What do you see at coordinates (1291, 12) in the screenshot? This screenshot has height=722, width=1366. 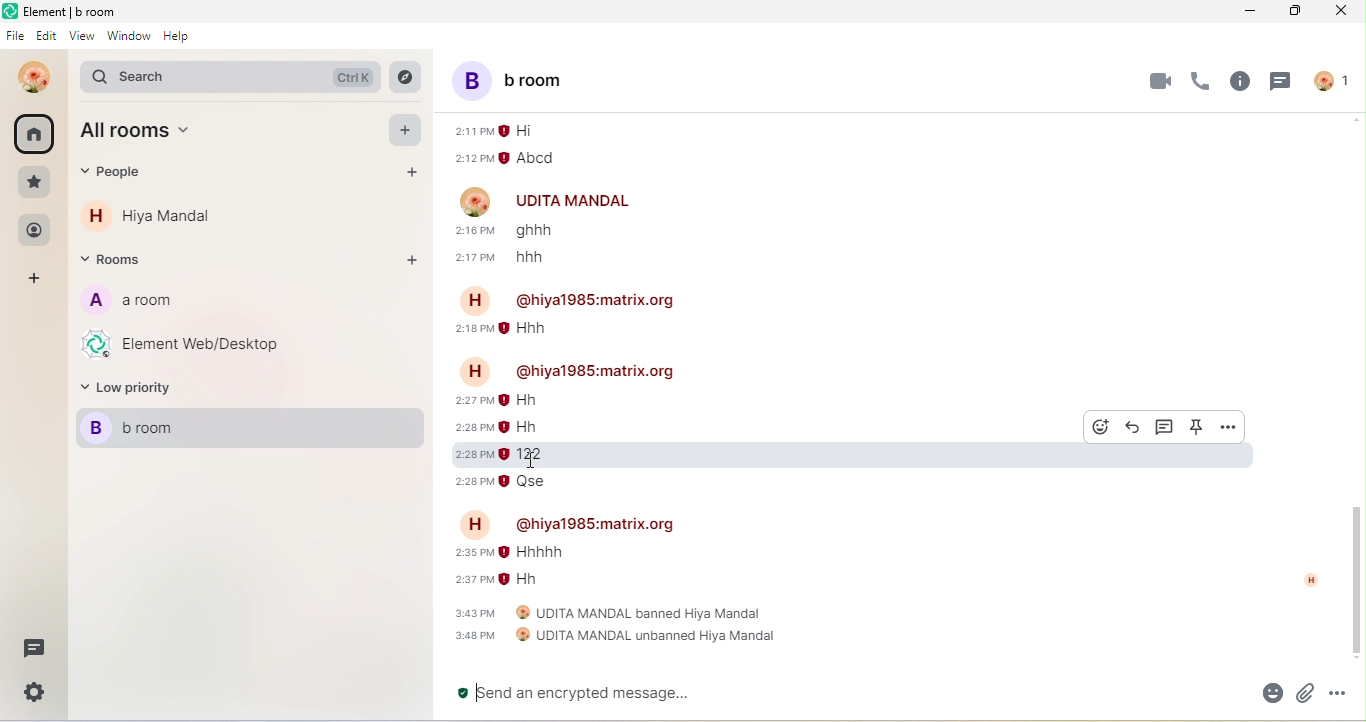 I see `maximize` at bounding box center [1291, 12].